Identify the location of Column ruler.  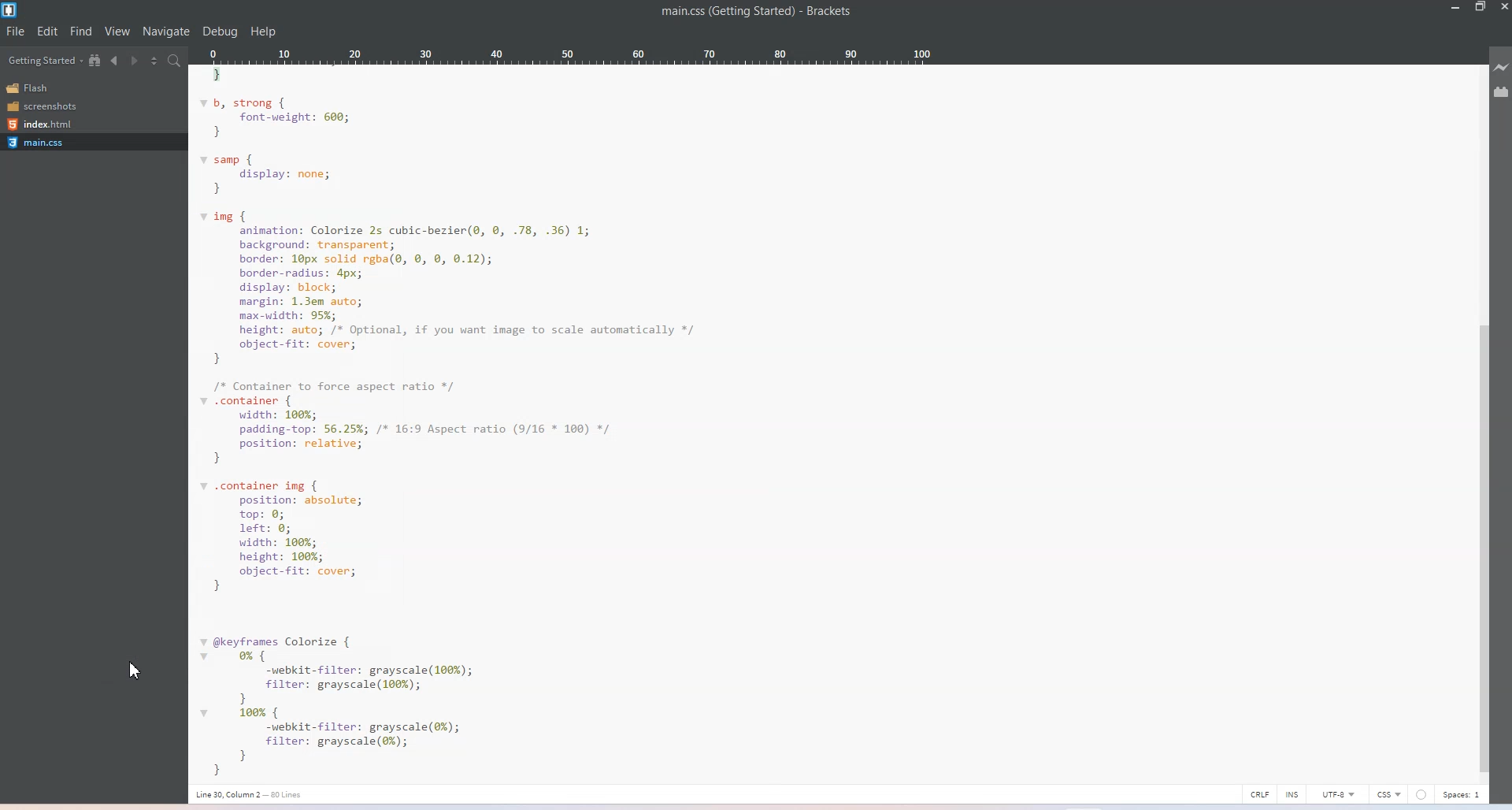
(626, 55).